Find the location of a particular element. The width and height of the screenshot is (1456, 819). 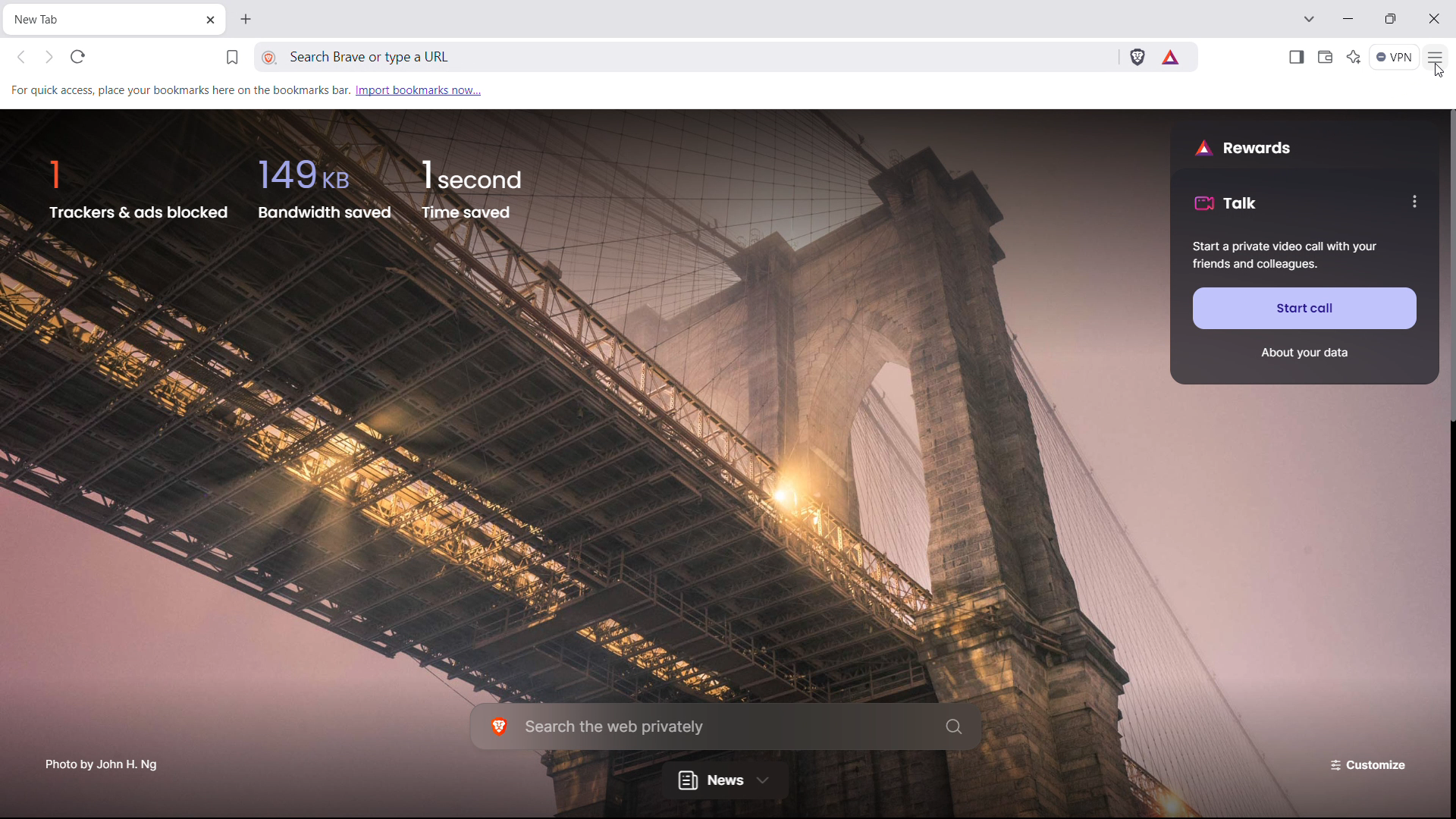

more options is located at coordinates (1408, 198).